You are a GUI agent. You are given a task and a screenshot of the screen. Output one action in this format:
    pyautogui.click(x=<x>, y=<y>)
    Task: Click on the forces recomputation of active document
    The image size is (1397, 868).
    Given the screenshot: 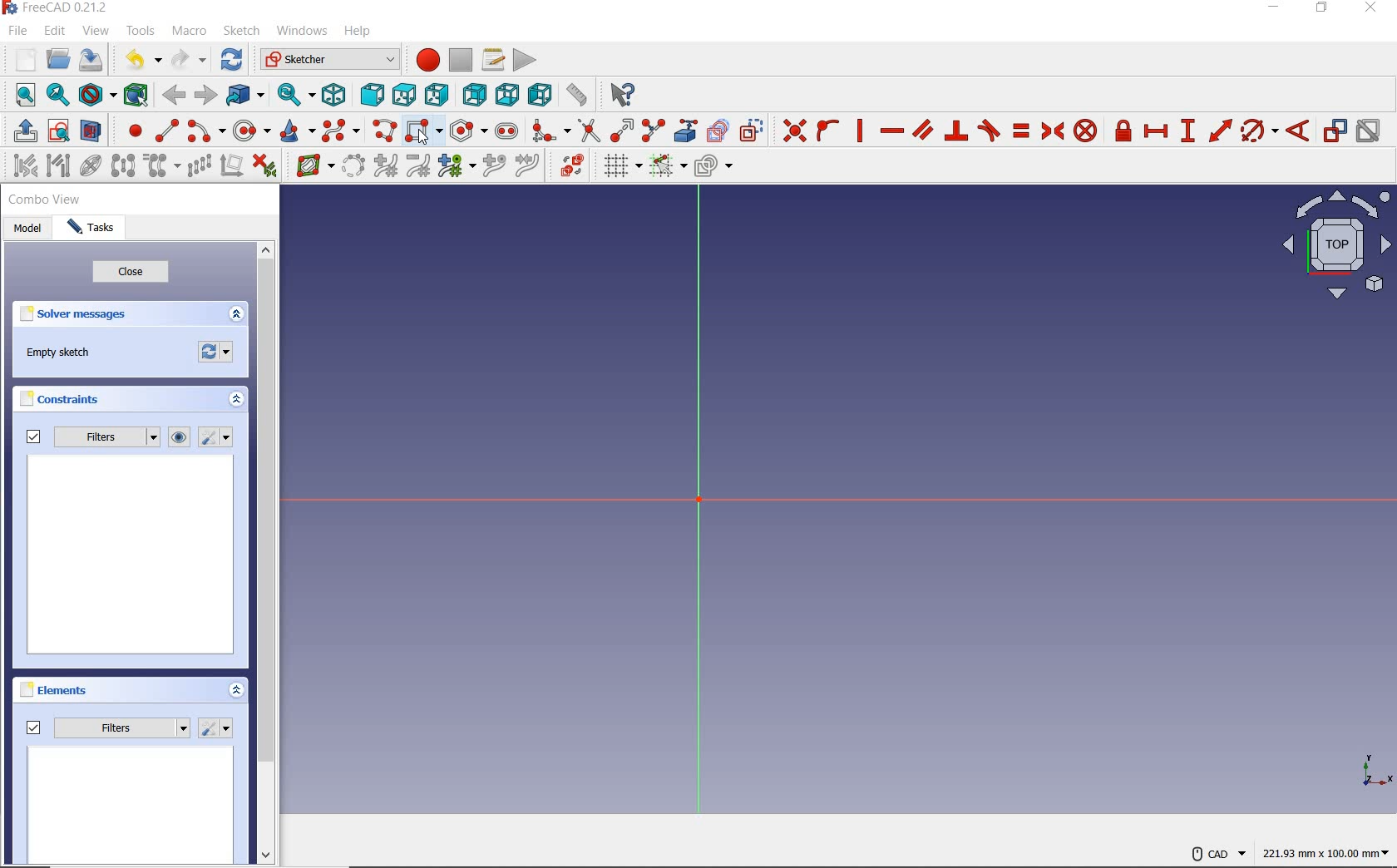 What is the action you would take?
    pyautogui.click(x=217, y=355)
    